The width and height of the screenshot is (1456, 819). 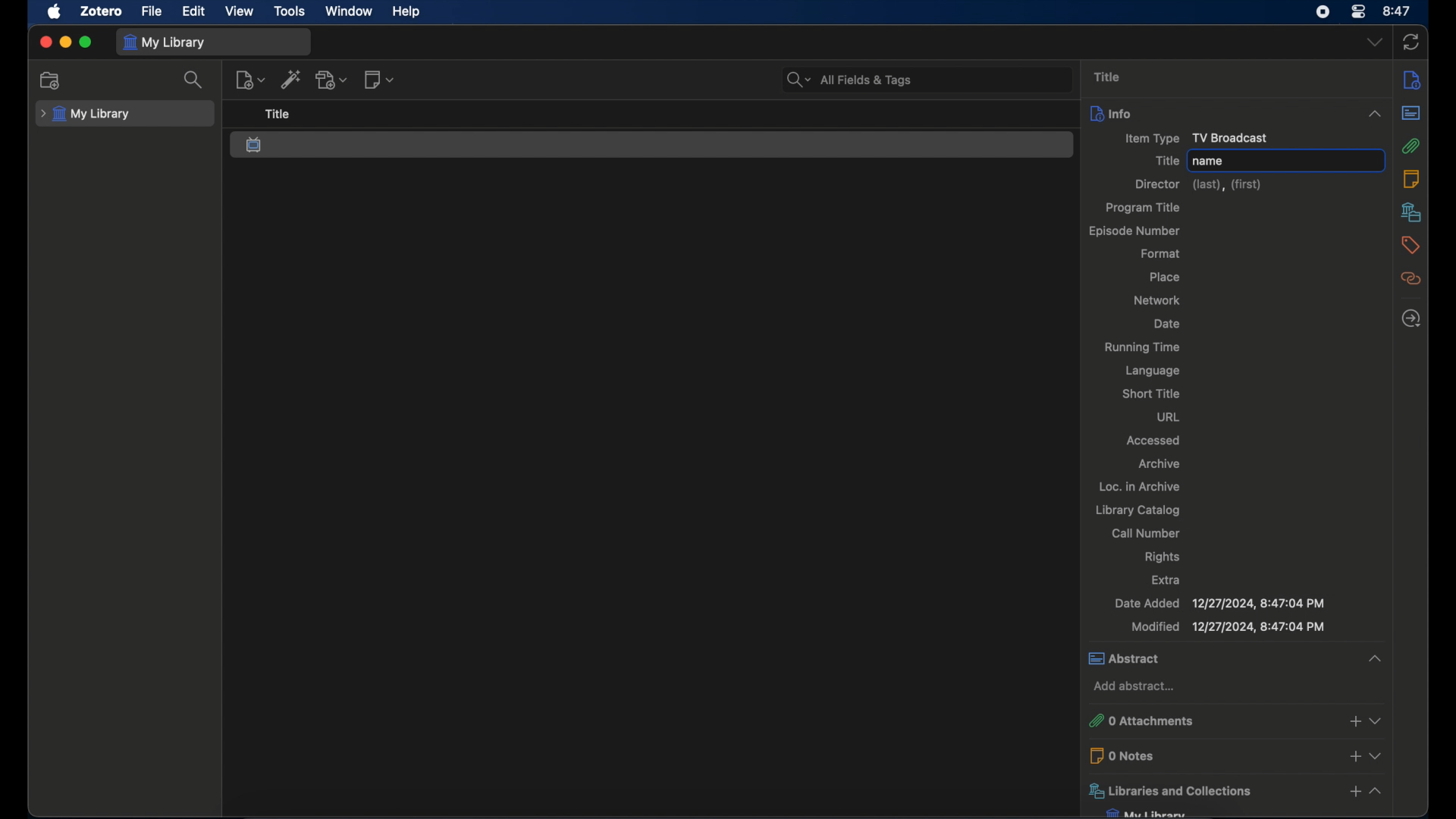 What do you see at coordinates (1197, 185) in the screenshot?
I see `director` at bounding box center [1197, 185].